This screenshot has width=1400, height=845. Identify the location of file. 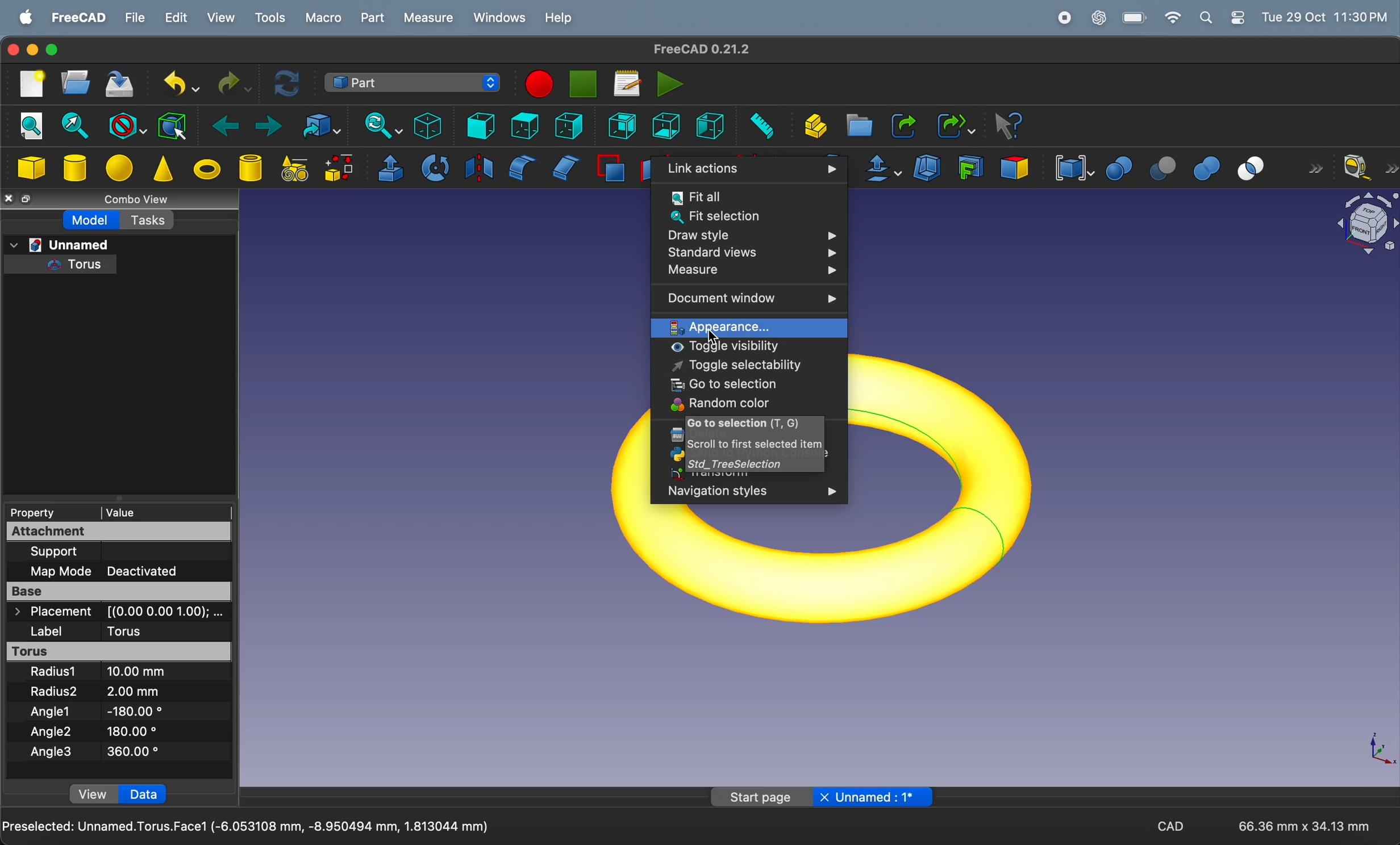
(134, 18).